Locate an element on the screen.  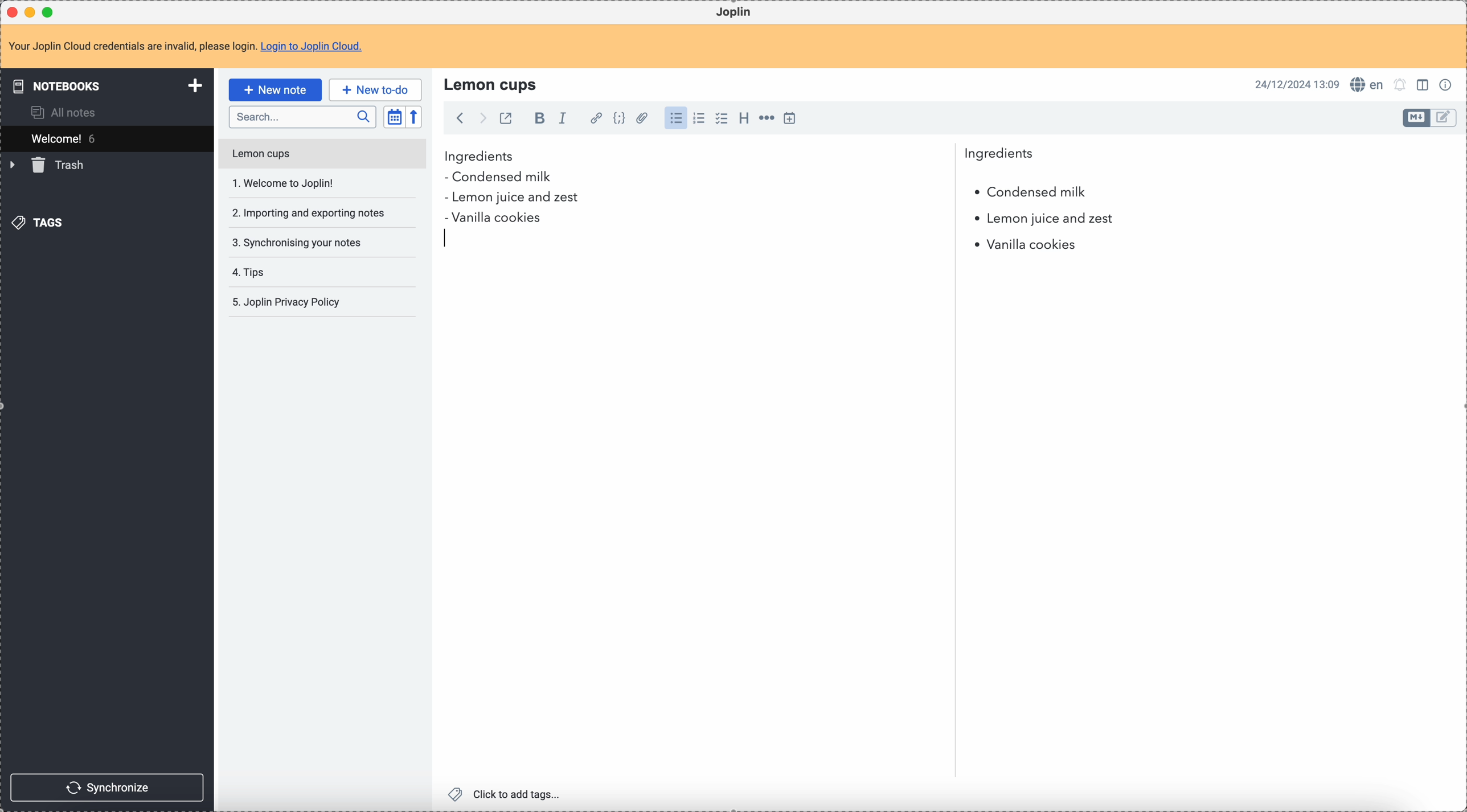
maximize is located at coordinates (51, 11).